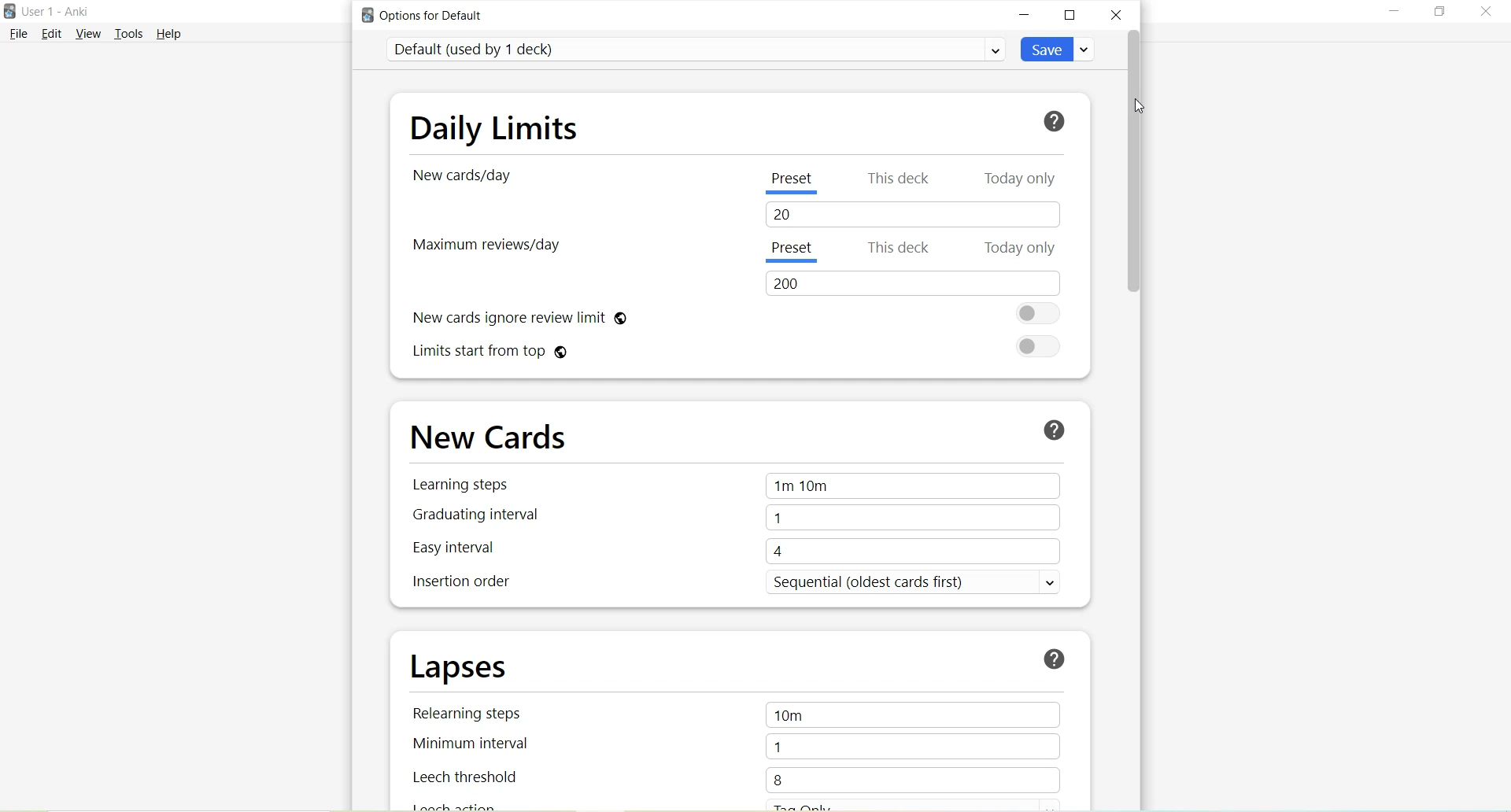  Describe the element at coordinates (914, 487) in the screenshot. I see `1m 10m` at that location.